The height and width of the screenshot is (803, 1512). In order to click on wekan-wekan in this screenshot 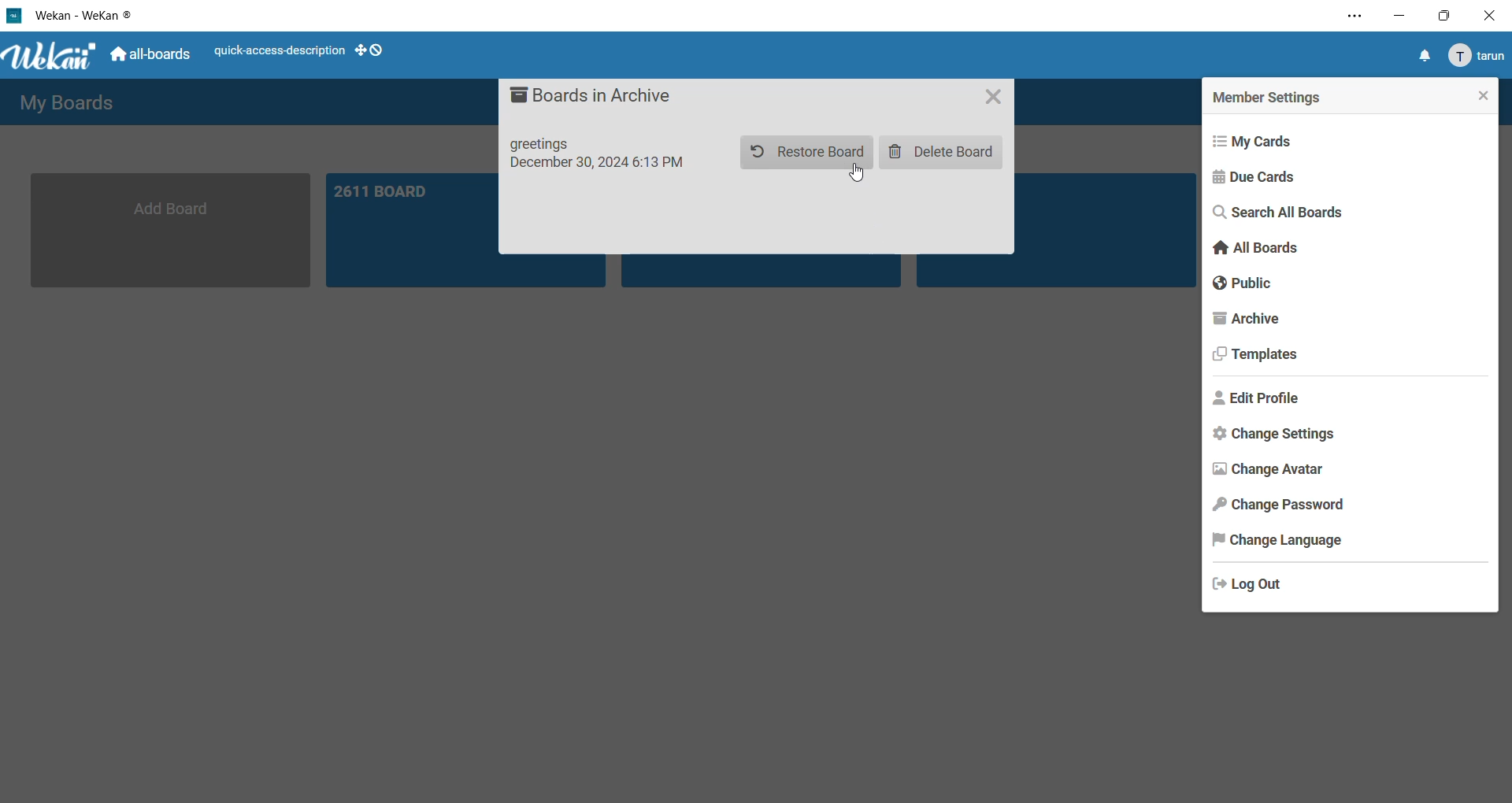, I will do `click(89, 13)`.